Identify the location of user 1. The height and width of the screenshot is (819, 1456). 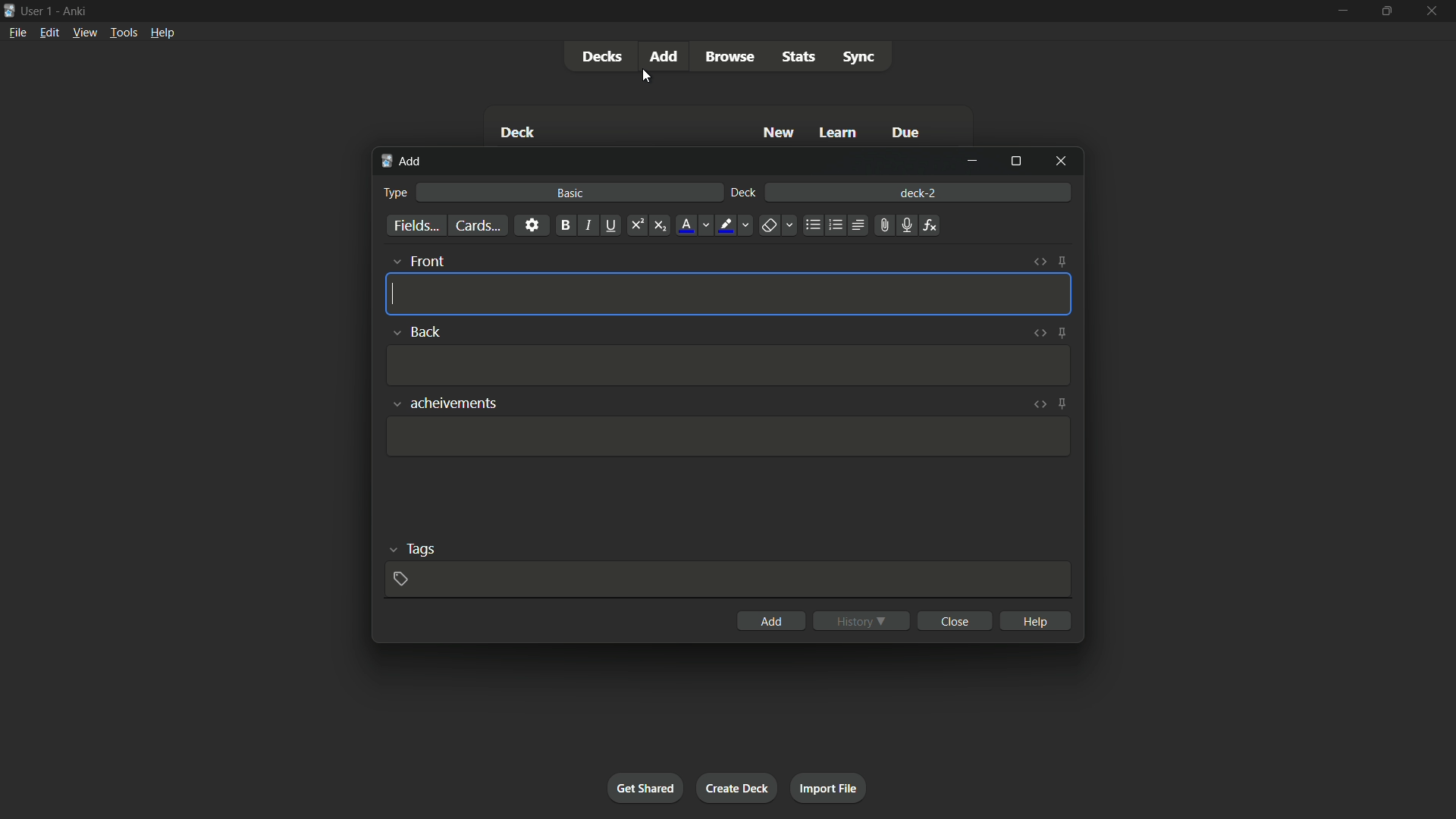
(38, 11).